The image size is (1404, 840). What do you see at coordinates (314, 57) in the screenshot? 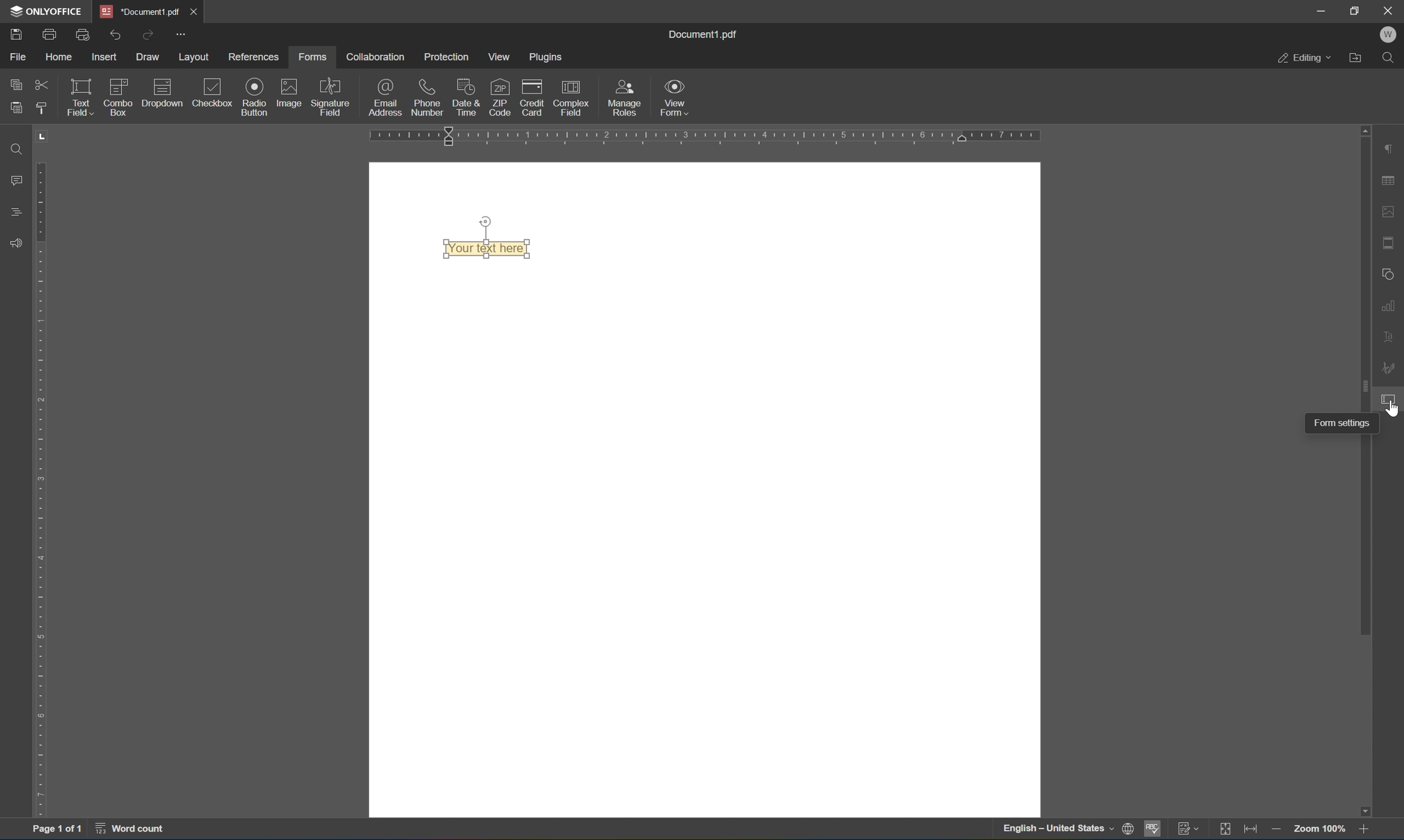
I see `forms` at bounding box center [314, 57].